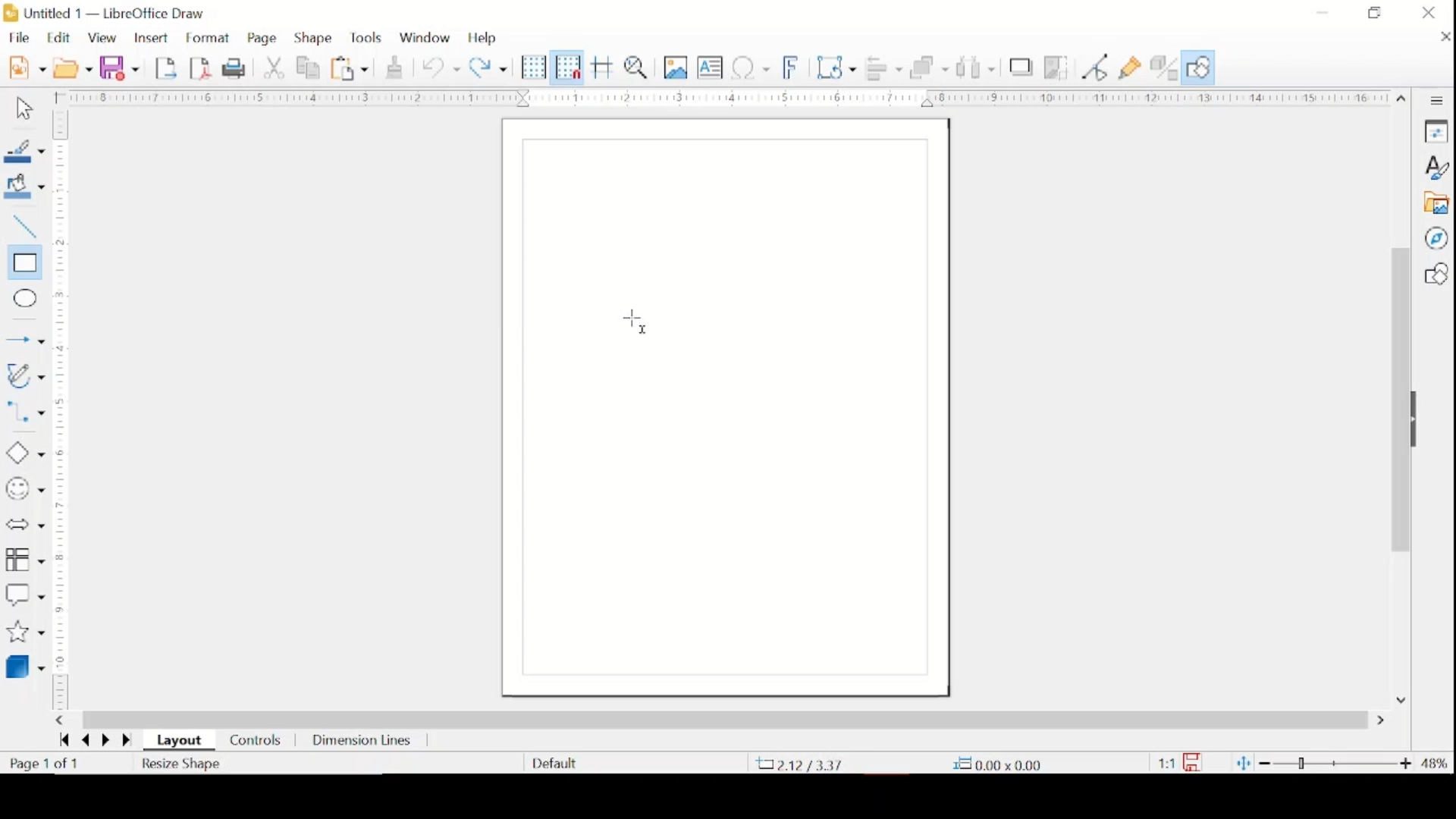 The image size is (1456, 819). I want to click on tools, so click(366, 38).